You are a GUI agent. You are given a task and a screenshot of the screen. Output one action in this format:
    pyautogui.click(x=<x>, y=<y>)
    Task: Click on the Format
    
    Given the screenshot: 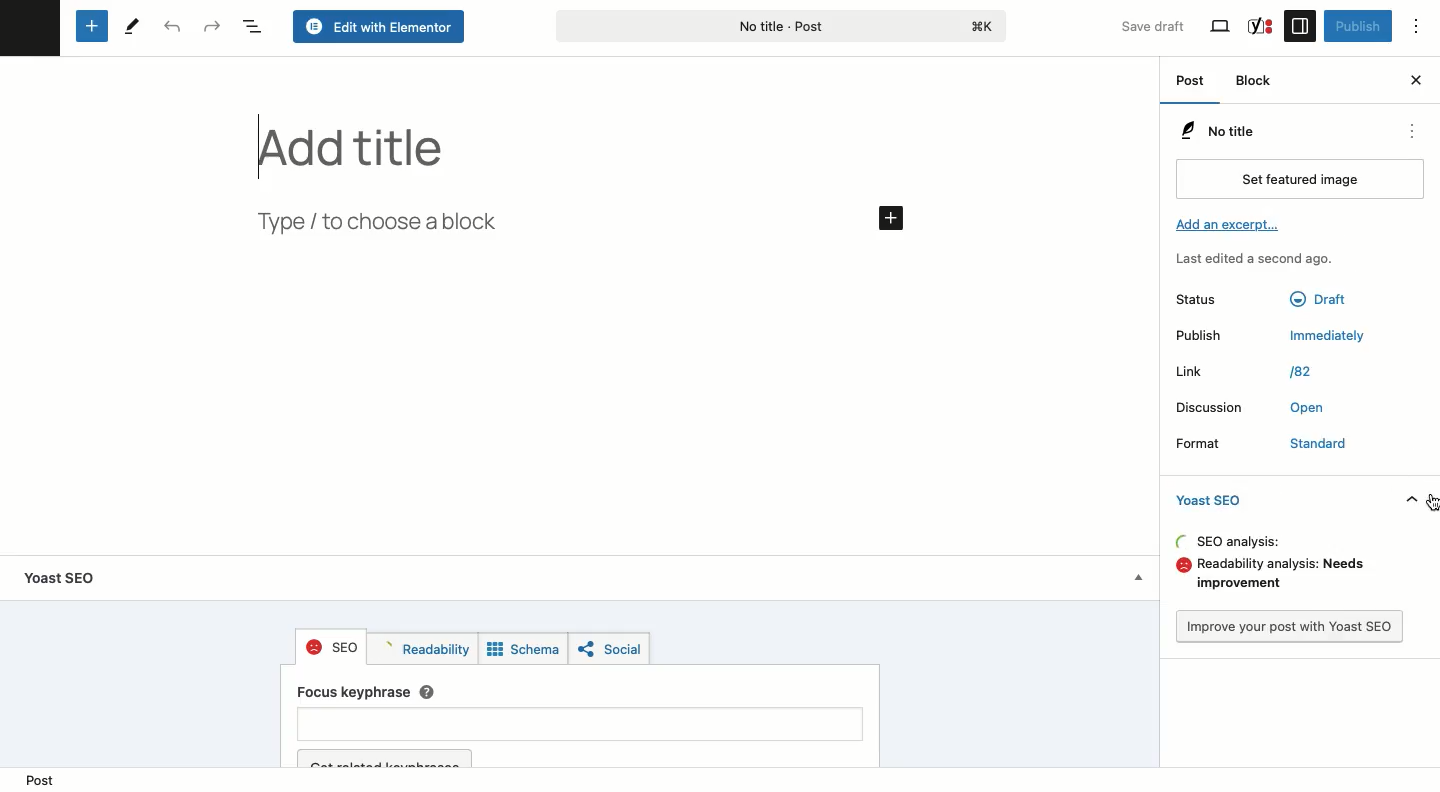 What is the action you would take?
    pyautogui.click(x=1208, y=444)
    